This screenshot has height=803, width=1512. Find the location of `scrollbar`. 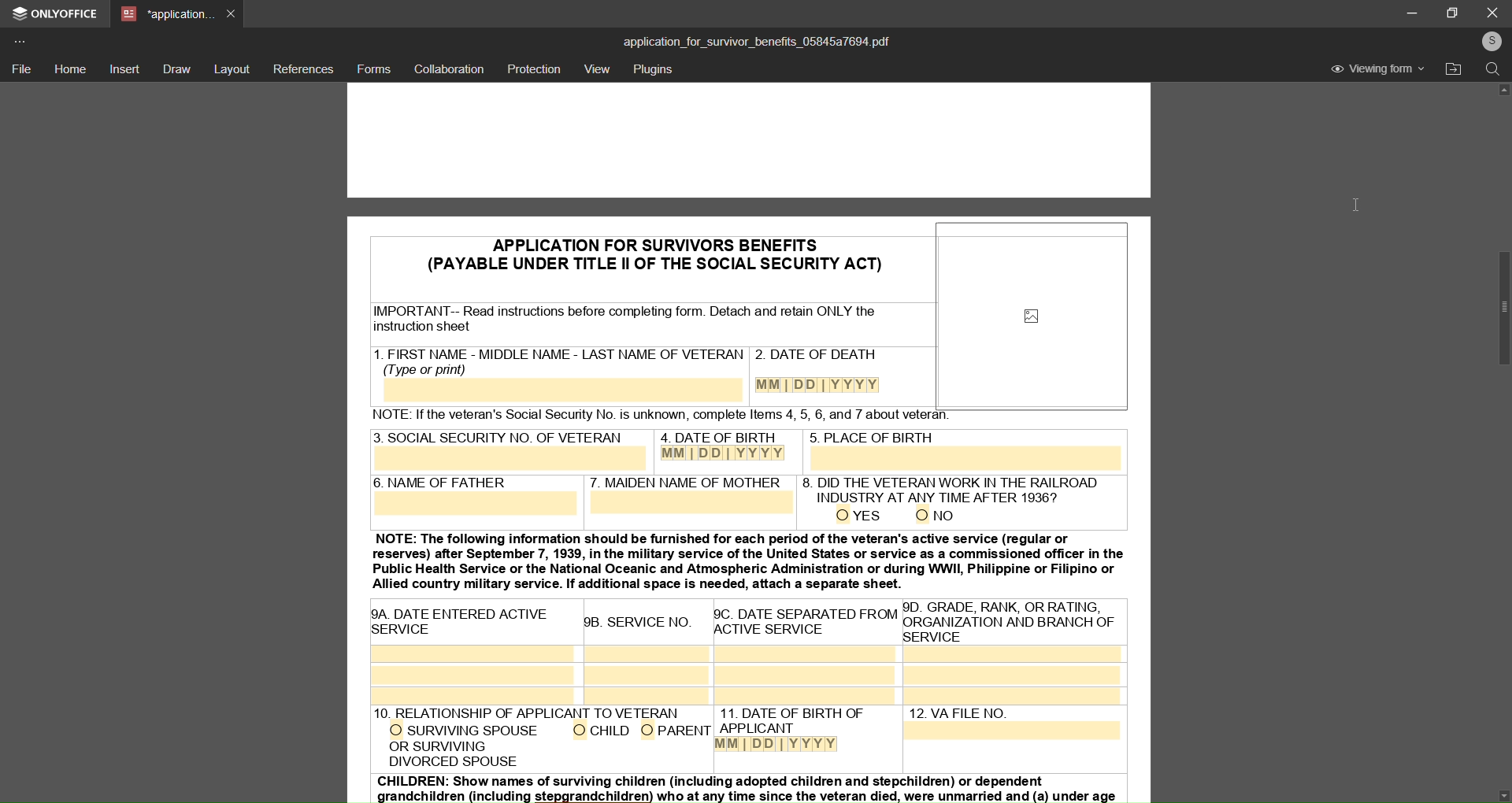

scrollbar is located at coordinates (1495, 308).